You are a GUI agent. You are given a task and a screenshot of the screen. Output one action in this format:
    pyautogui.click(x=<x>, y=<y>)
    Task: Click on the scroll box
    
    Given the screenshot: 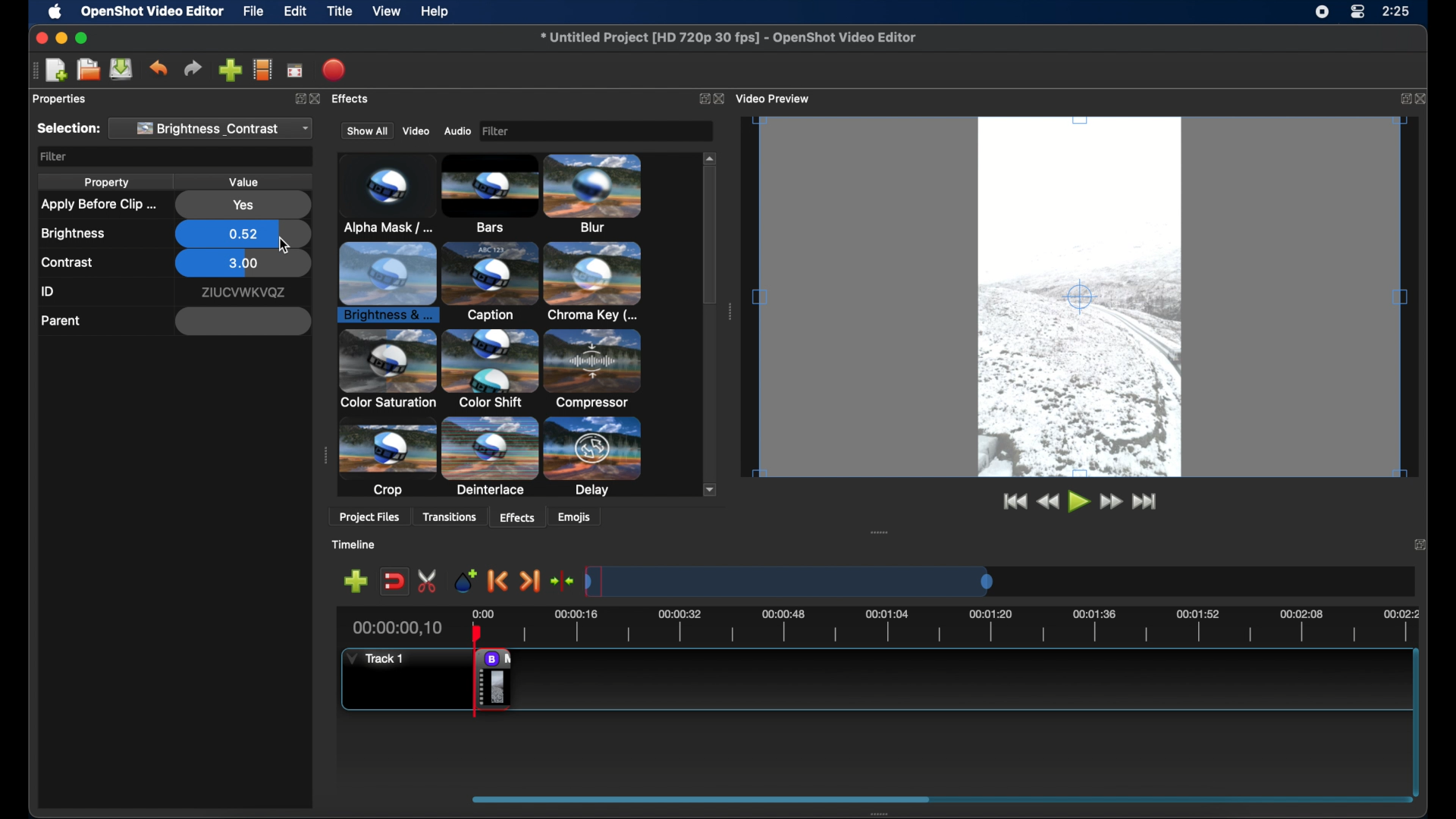 What is the action you would take?
    pyautogui.click(x=711, y=259)
    